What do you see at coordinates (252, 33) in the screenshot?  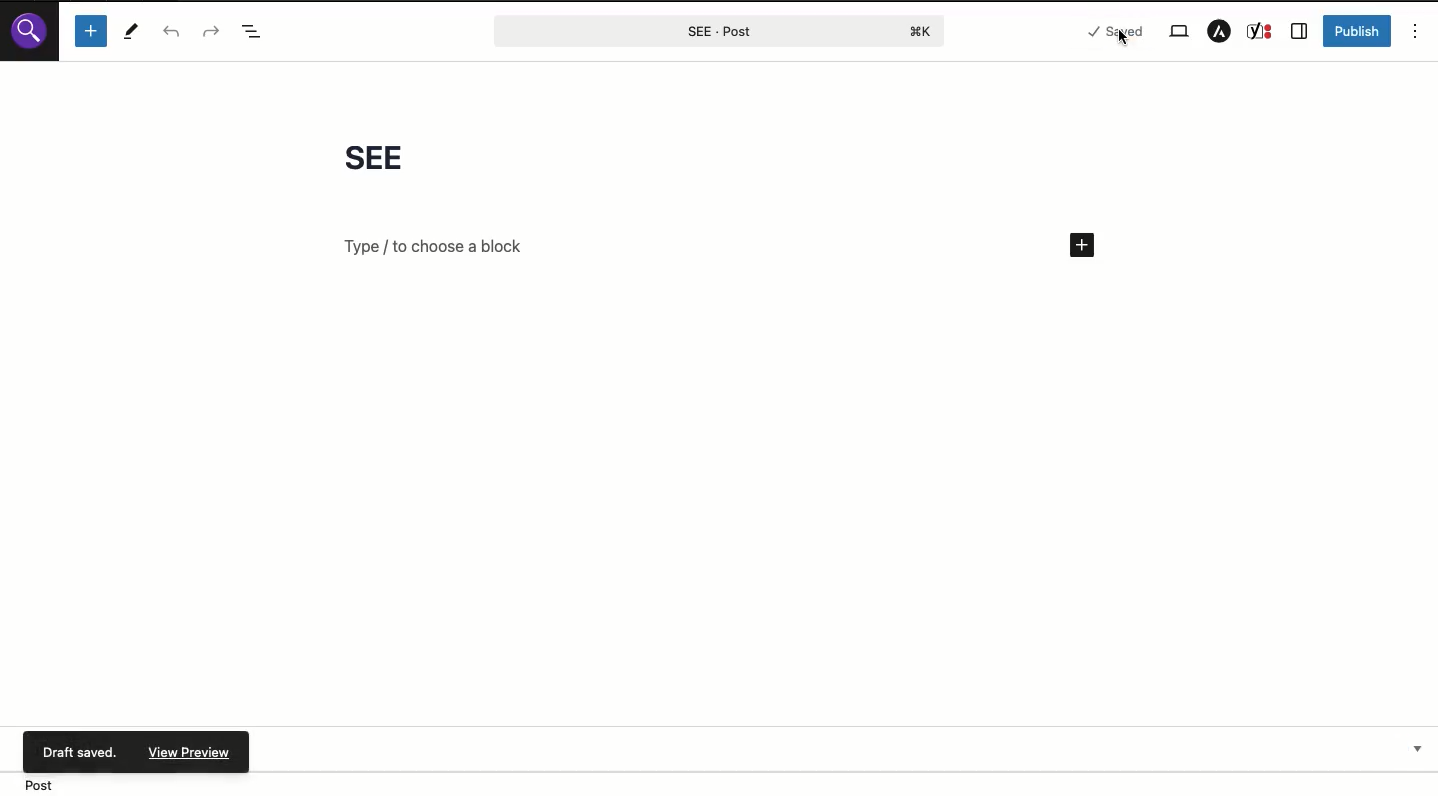 I see `Doc overview` at bounding box center [252, 33].